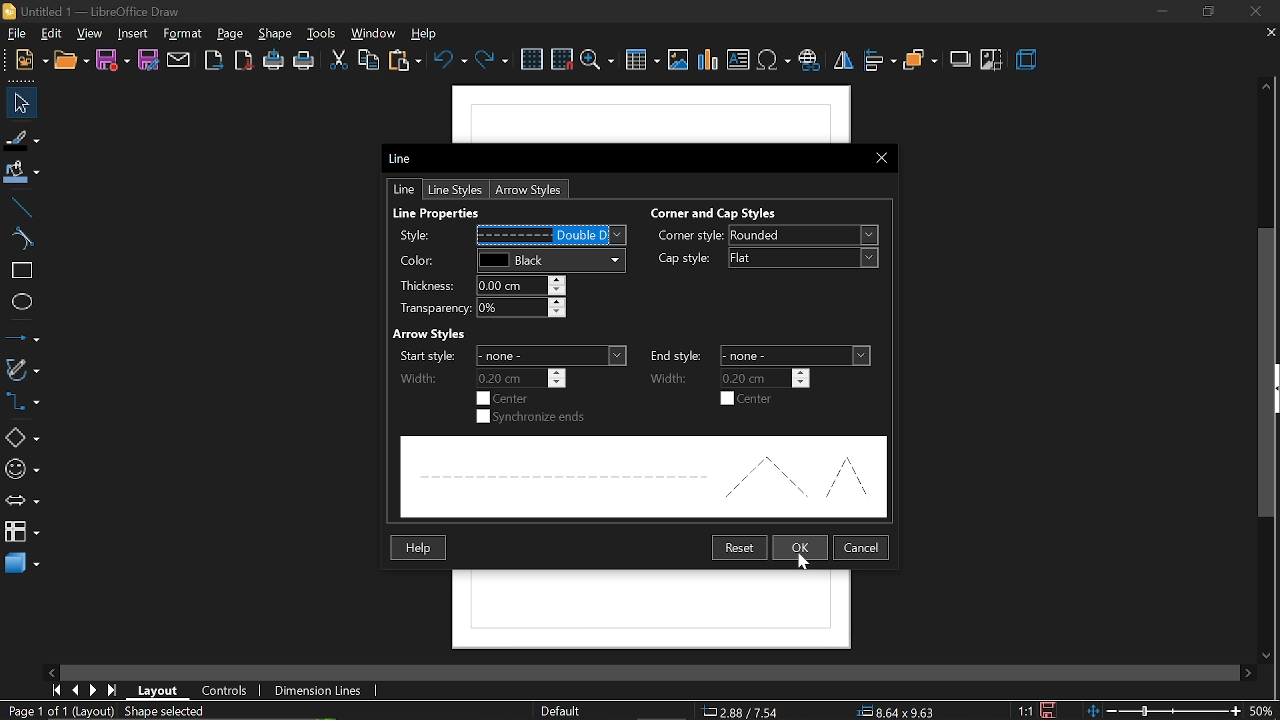 The height and width of the screenshot is (720, 1280). Describe the element at coordinates (19, 104) in the screenshot. I see `select` at that location.